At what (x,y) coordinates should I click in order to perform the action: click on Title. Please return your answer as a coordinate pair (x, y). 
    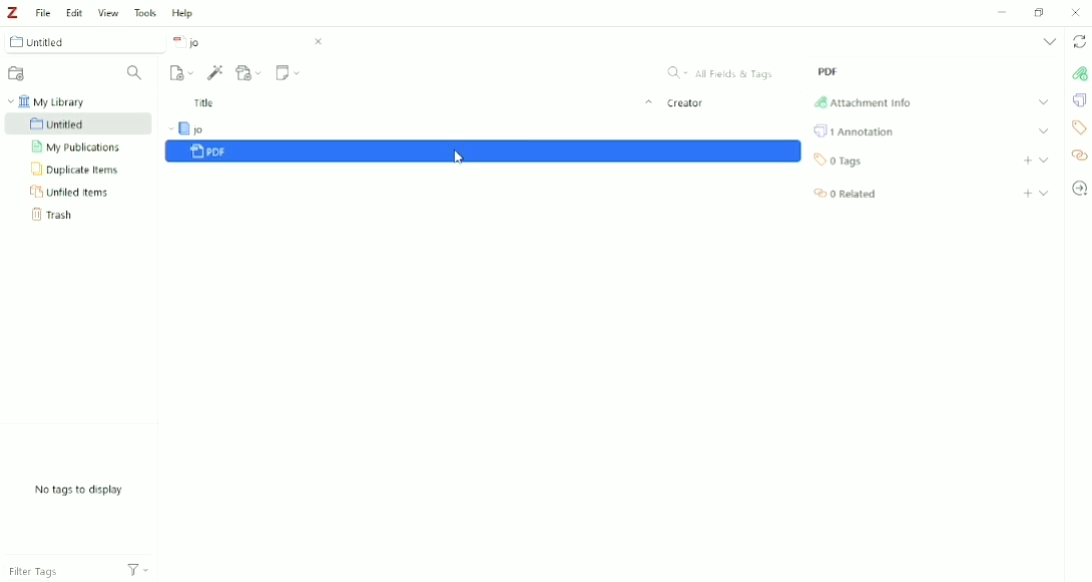
    Looking at the image, I should click on (421, 104).